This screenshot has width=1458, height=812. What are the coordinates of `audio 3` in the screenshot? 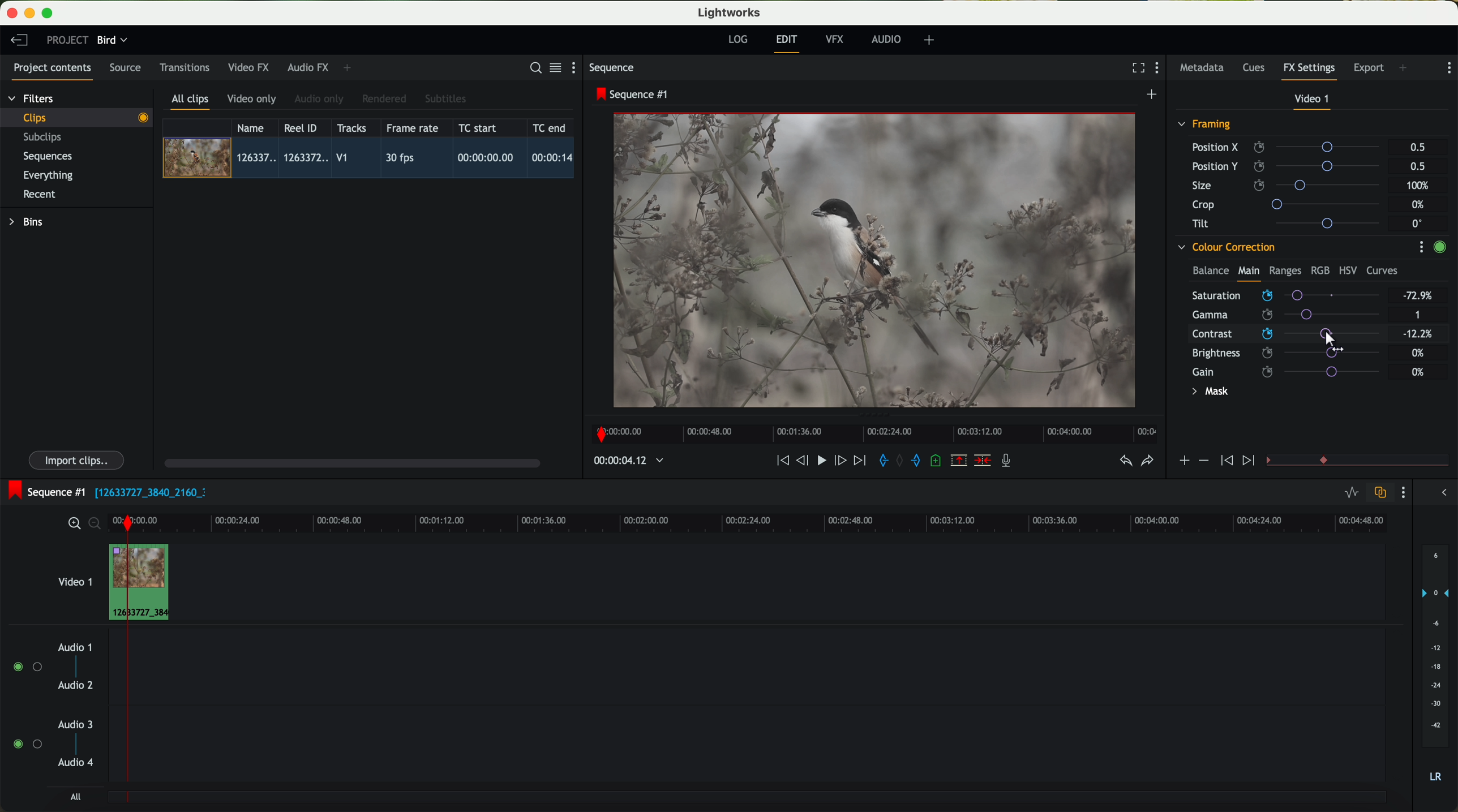 It's located at (70, 724).